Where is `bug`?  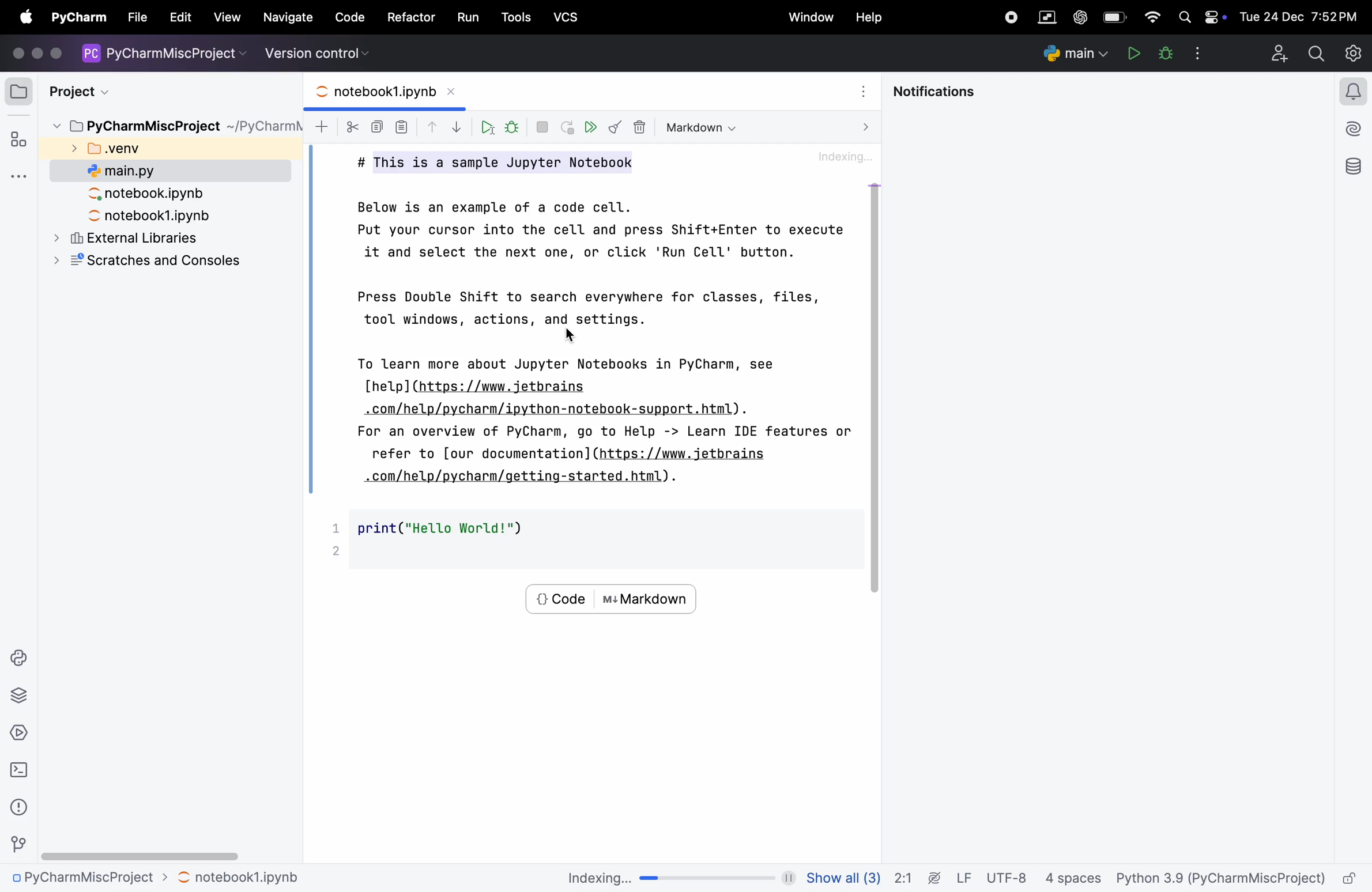 bug is located at coordinates (512, 126).